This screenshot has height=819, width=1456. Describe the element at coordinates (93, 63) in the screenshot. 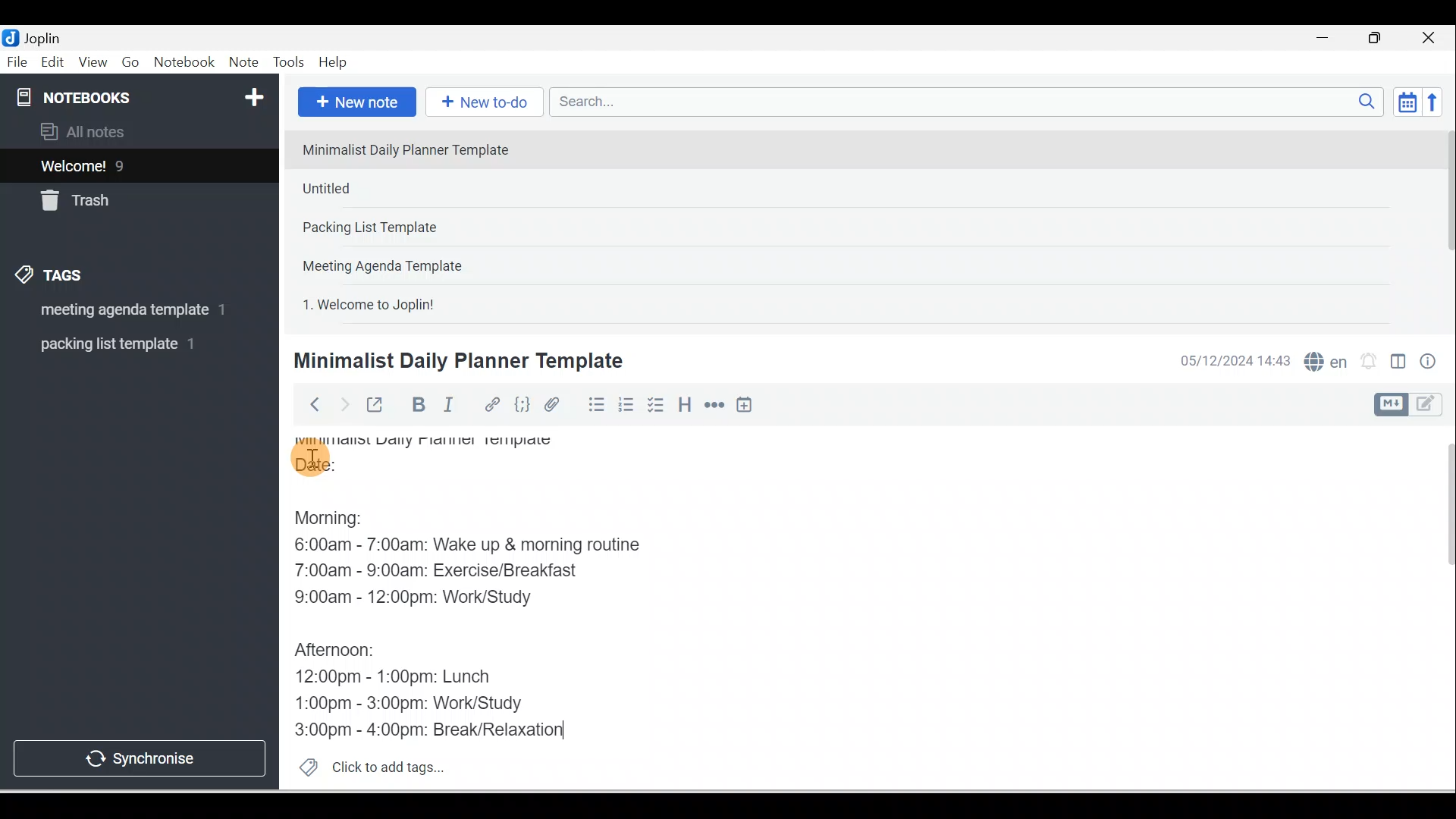

I see `View` at that location.